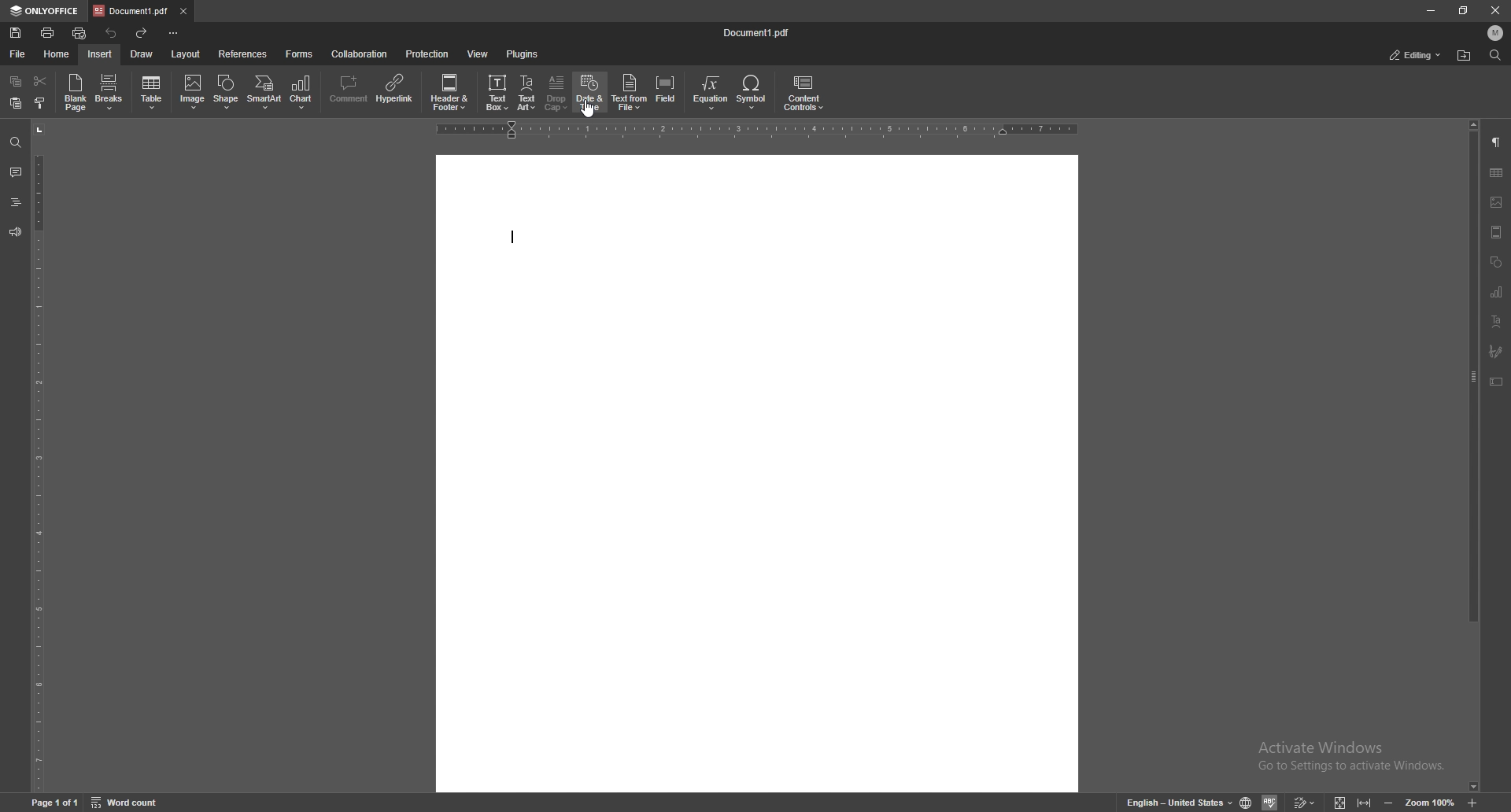 Image resolution: width=1511 pixels, height=812 pixels. I want to click on view, so click(478, 54).